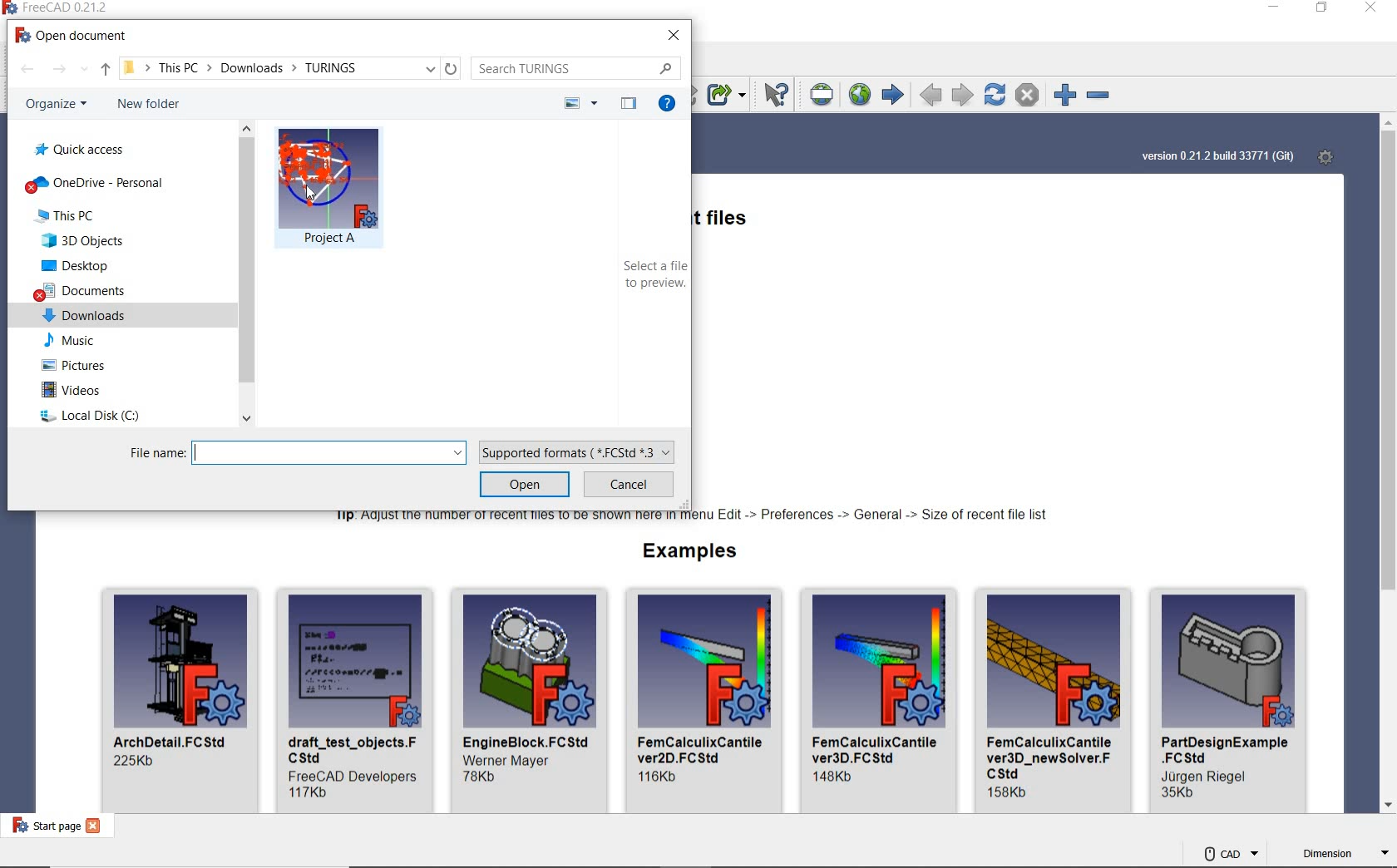  What do you see at coordinates (1217, 157) in the screenshot?
I see `SYSTEM VERSION` at bounding box center [1217, 157].